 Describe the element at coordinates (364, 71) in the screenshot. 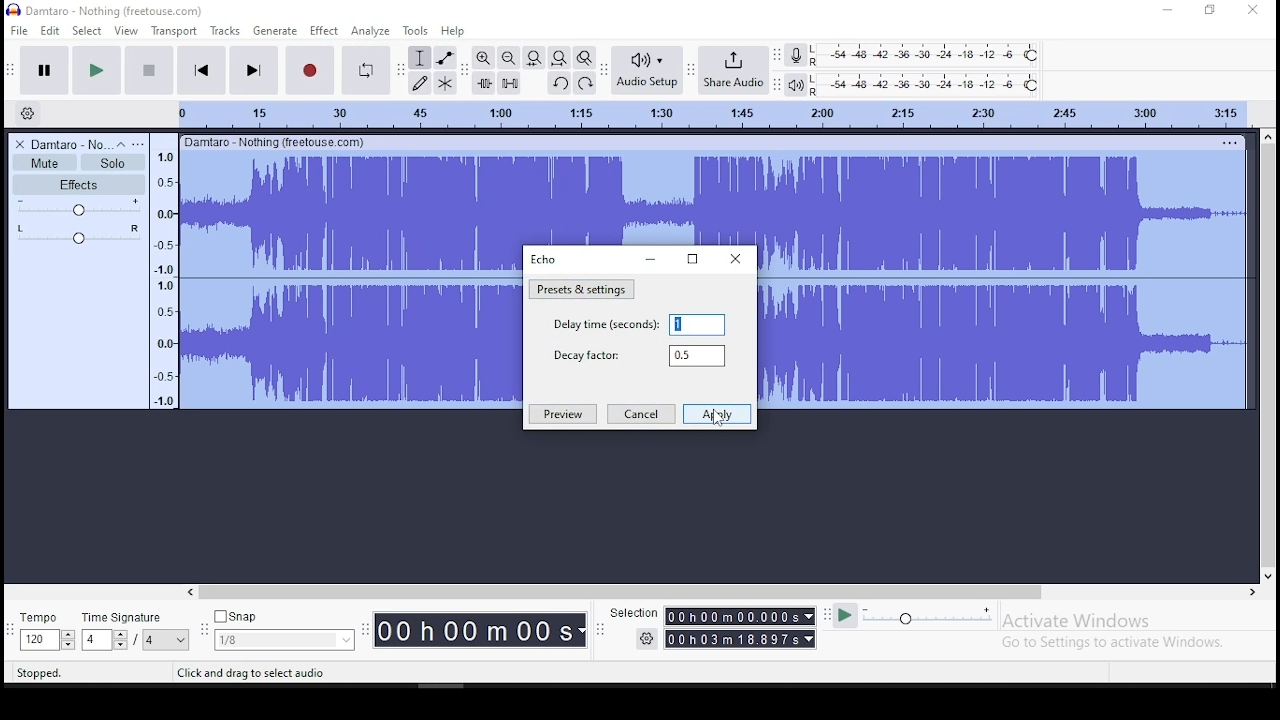

I see `enable looping` at that location.